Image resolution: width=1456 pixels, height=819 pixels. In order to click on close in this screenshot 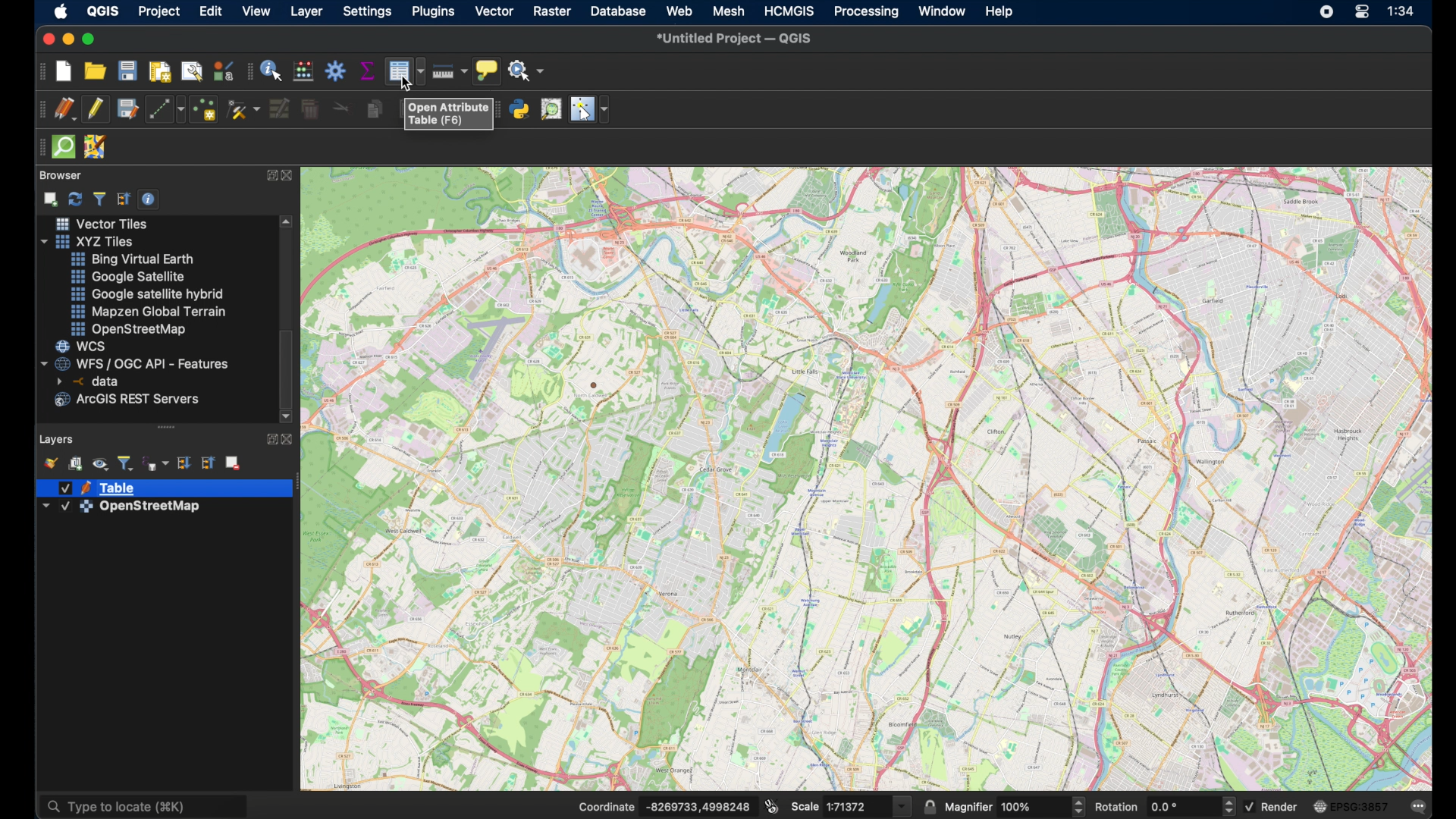, I will do `click(290, 174)`.